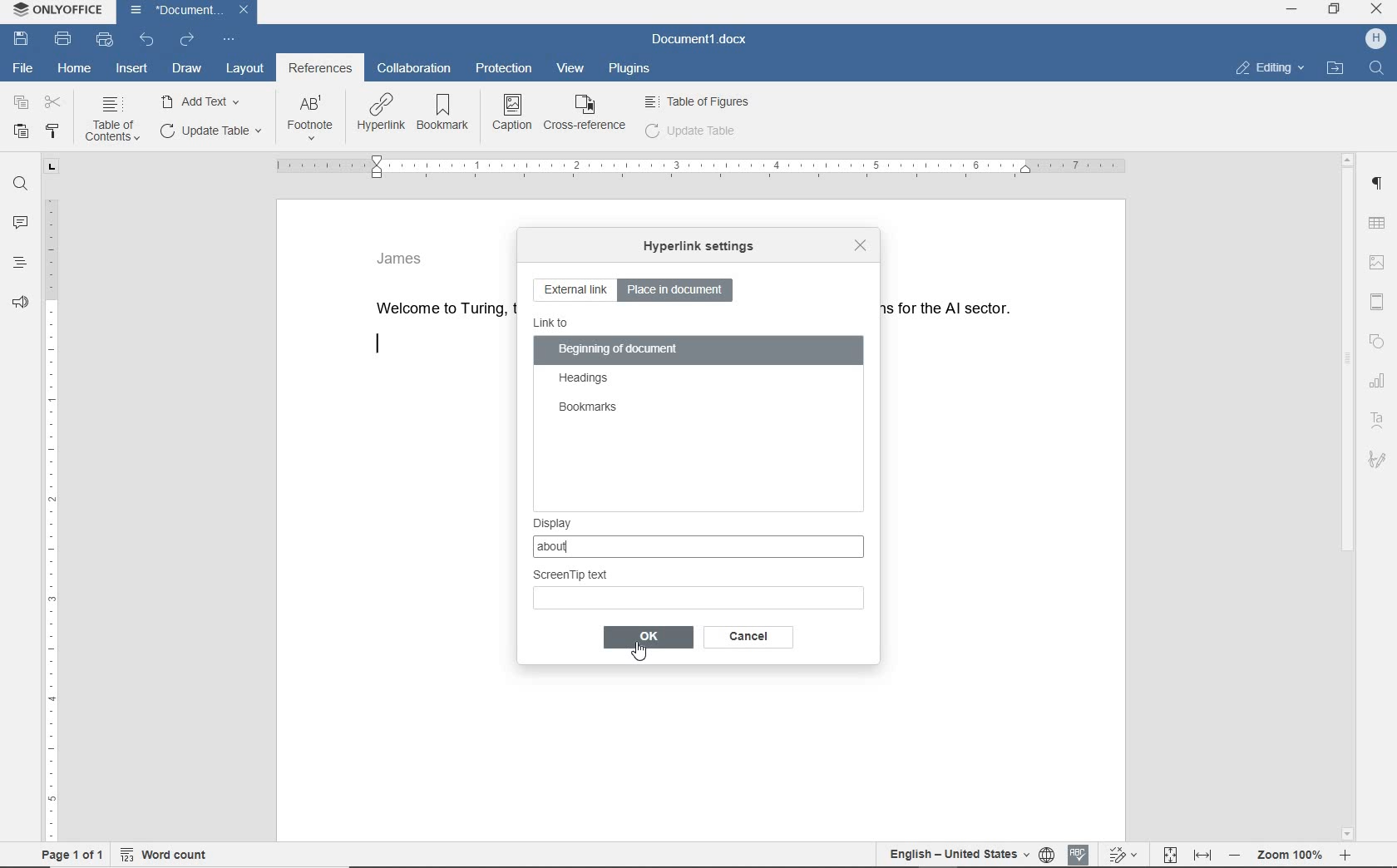 The height and width of the screenshot is (868, 1397). I want to click on ONLYOFFICE, so click(56, 10).